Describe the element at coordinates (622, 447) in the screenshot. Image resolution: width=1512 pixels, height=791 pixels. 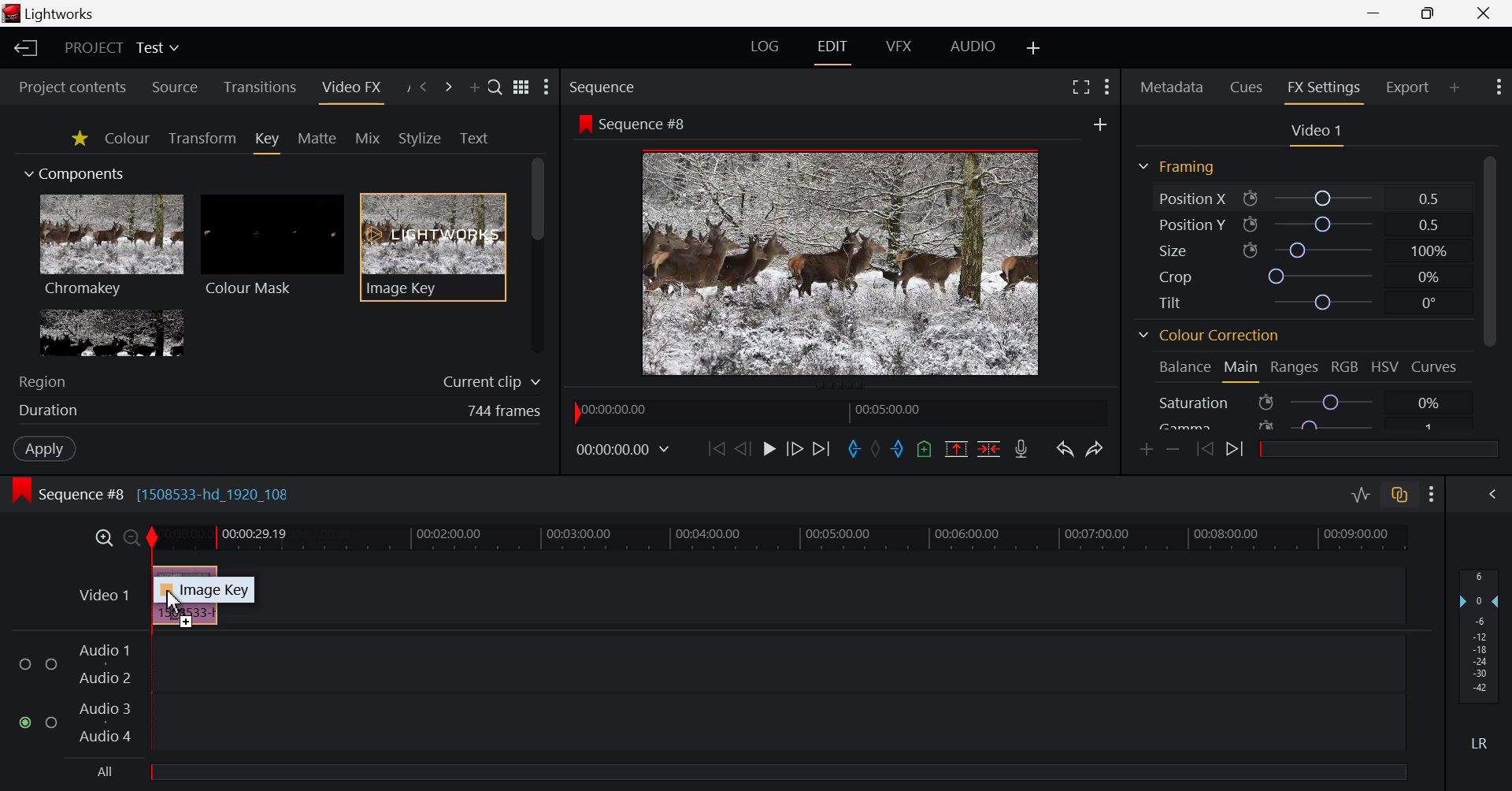
I see `00:00:00:00` at that location.